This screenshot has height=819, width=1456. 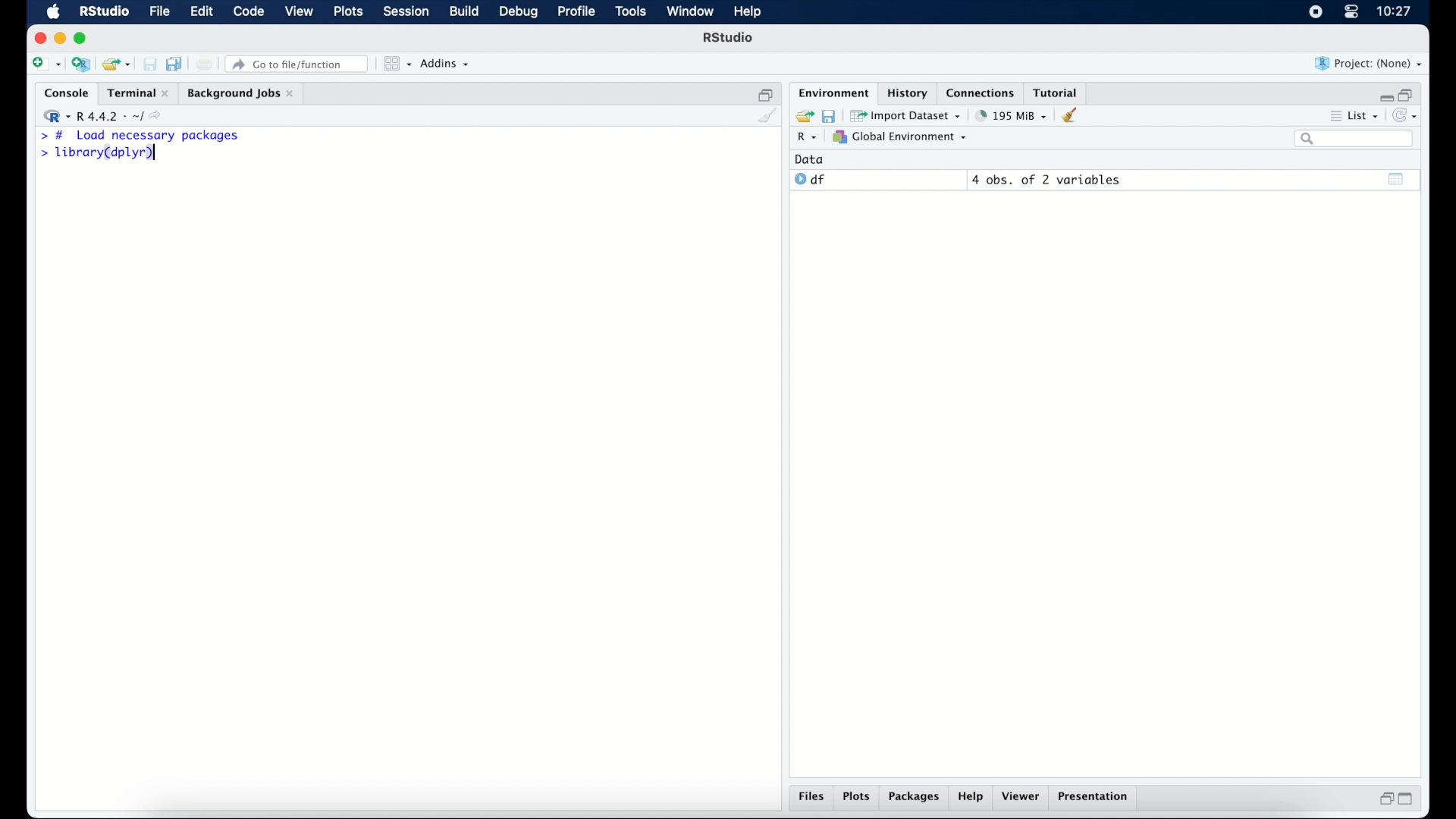 What do you see at coordinates (115, 64) in the screenshot?
I see `load existing project` at bounding box center [115, 64].